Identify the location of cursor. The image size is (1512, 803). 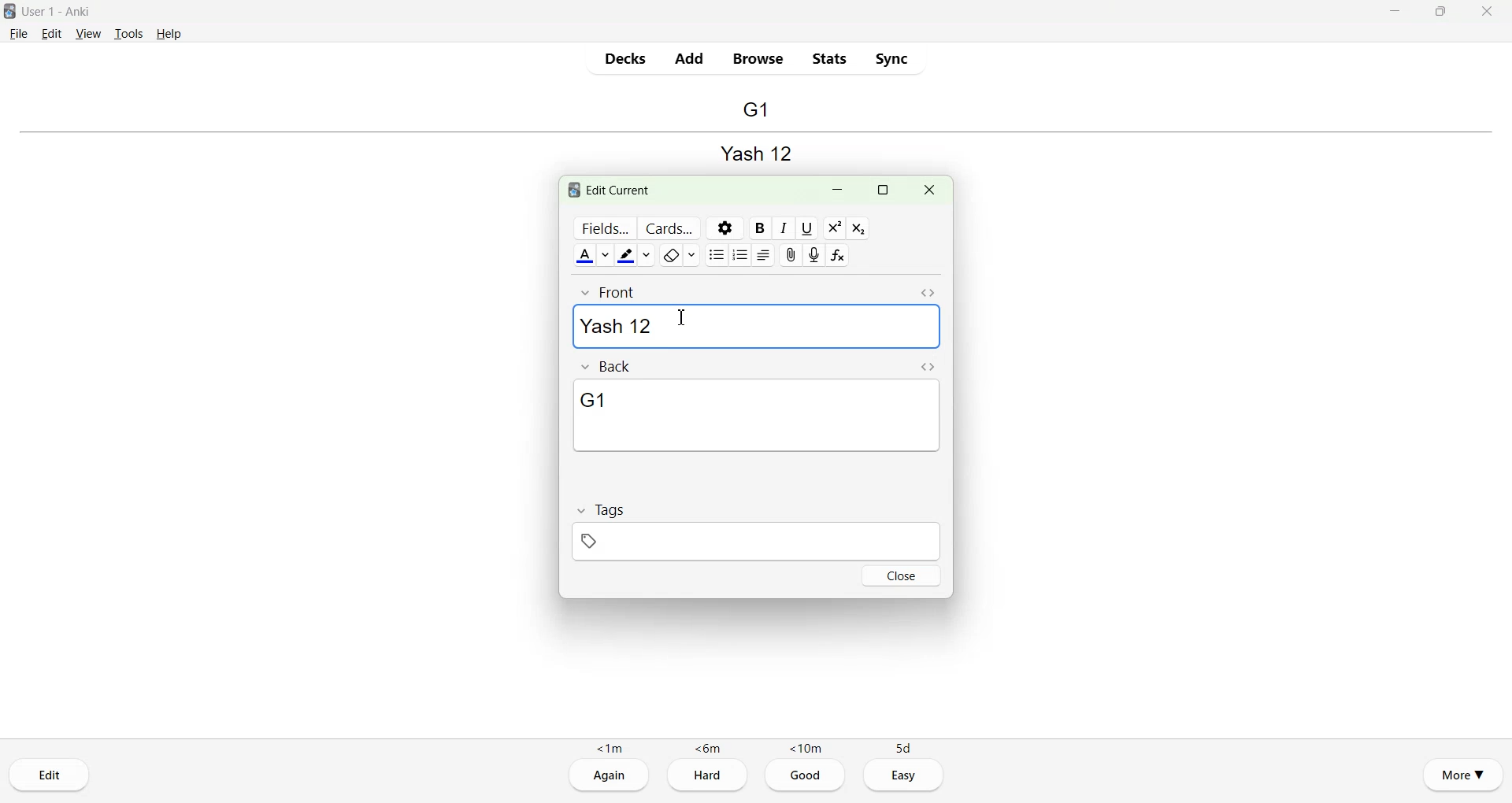
(683, 317).